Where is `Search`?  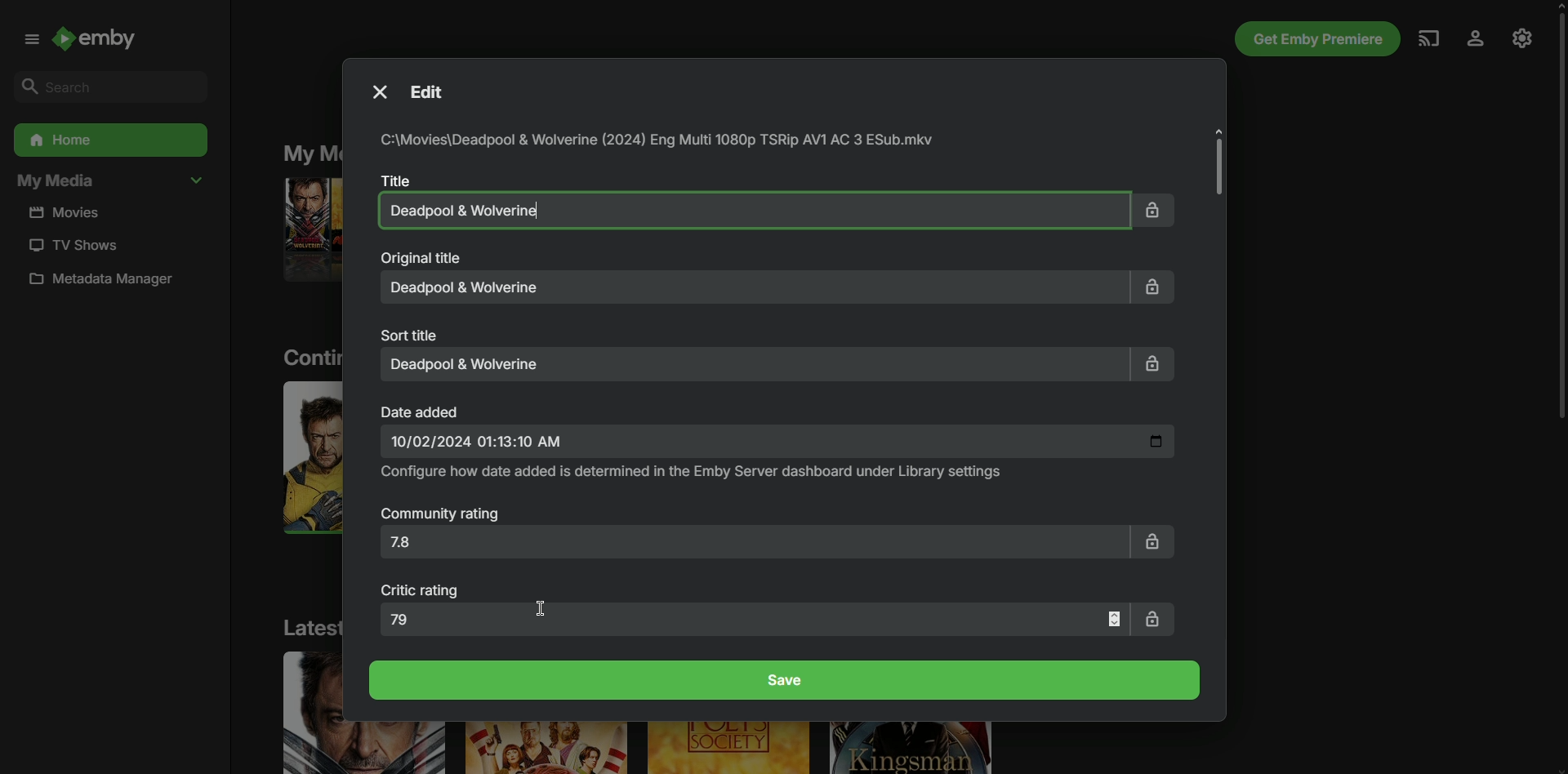
Search is located at coordinates (105, 86).